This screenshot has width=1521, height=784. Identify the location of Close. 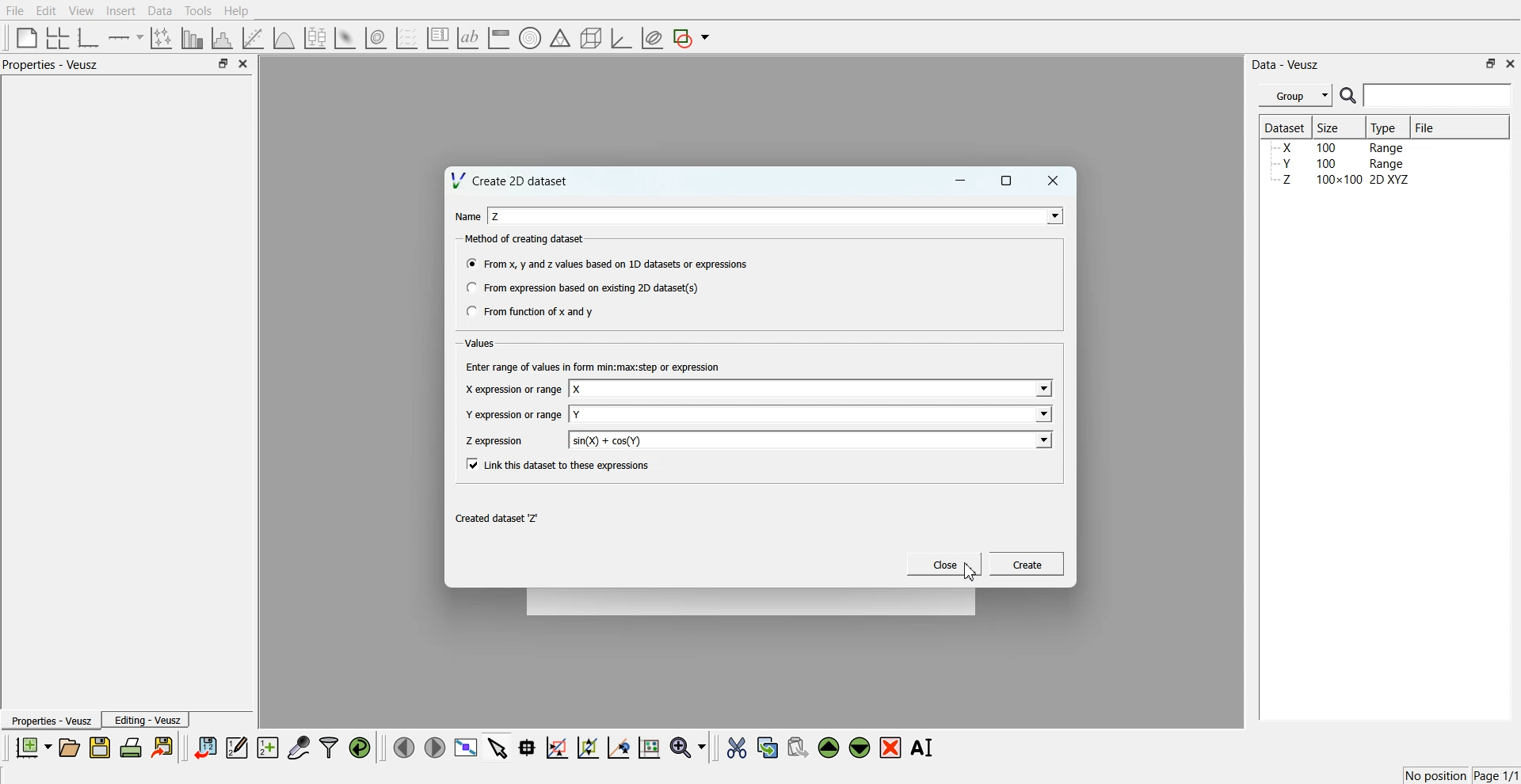
(244, 63).